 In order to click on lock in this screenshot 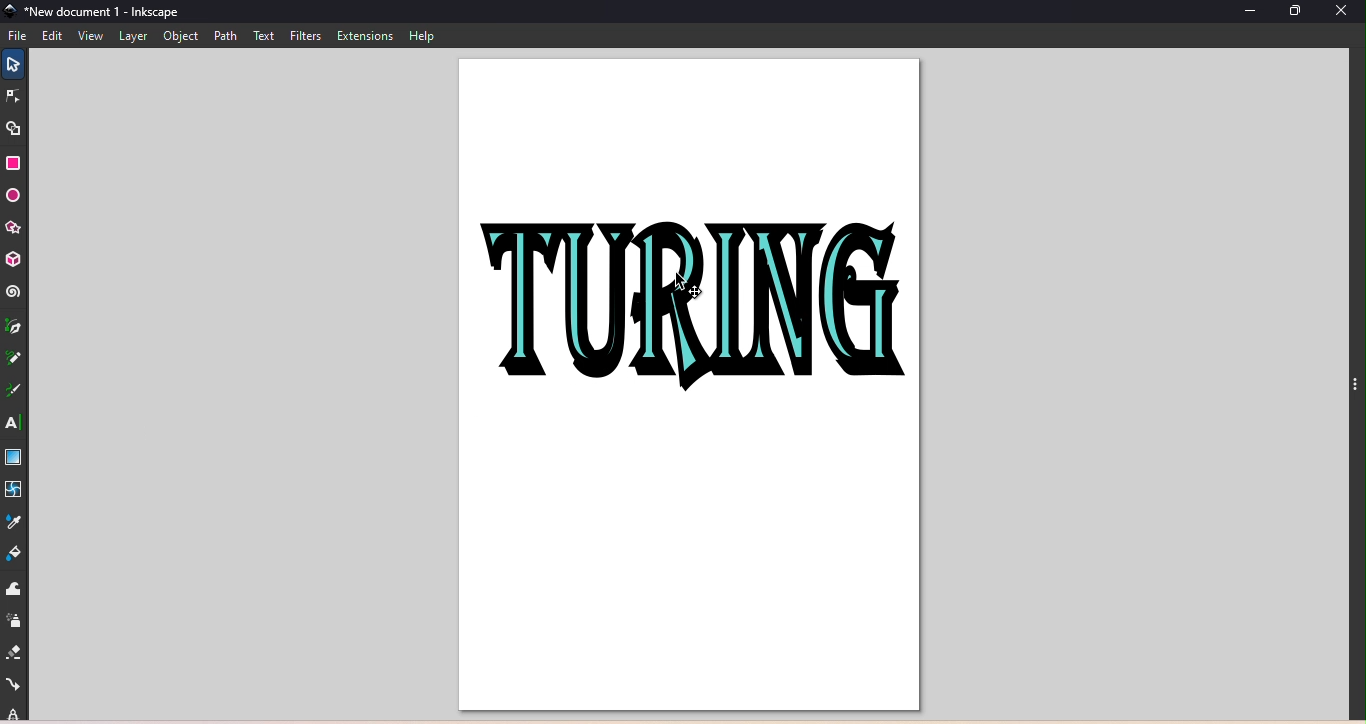, I will do `click(15, 713)`.